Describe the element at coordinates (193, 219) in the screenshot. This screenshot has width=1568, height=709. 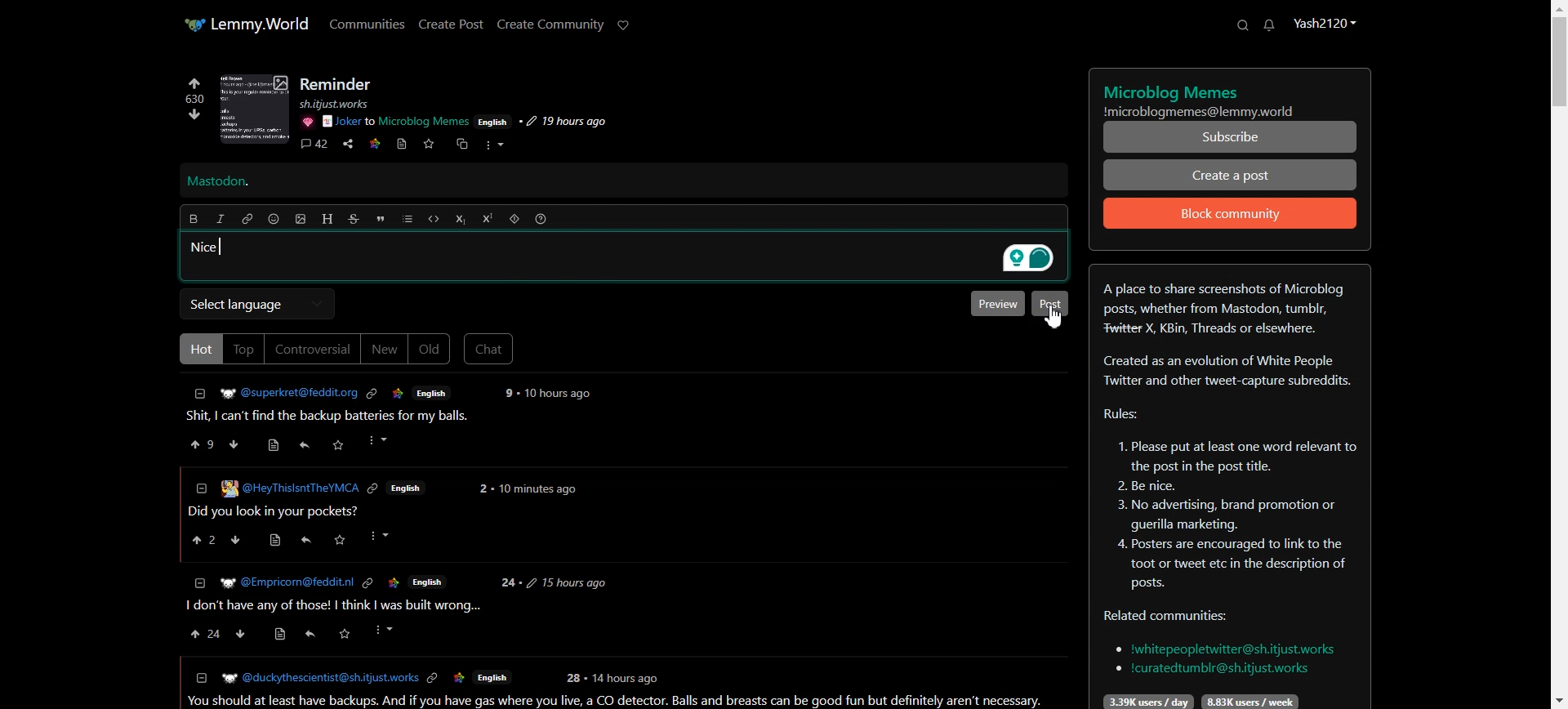
I see `Bold` at that location.